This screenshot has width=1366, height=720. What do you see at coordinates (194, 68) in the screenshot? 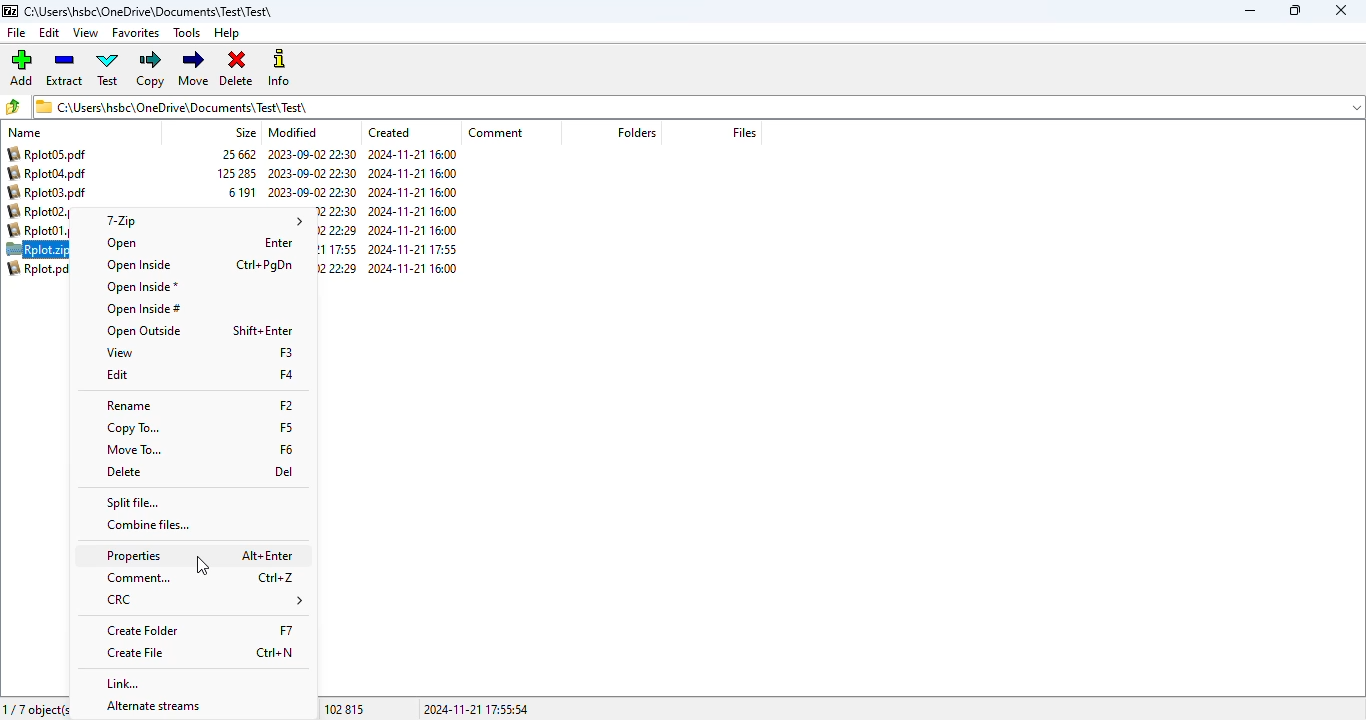
I see `move` at bounding box center [194, 68].